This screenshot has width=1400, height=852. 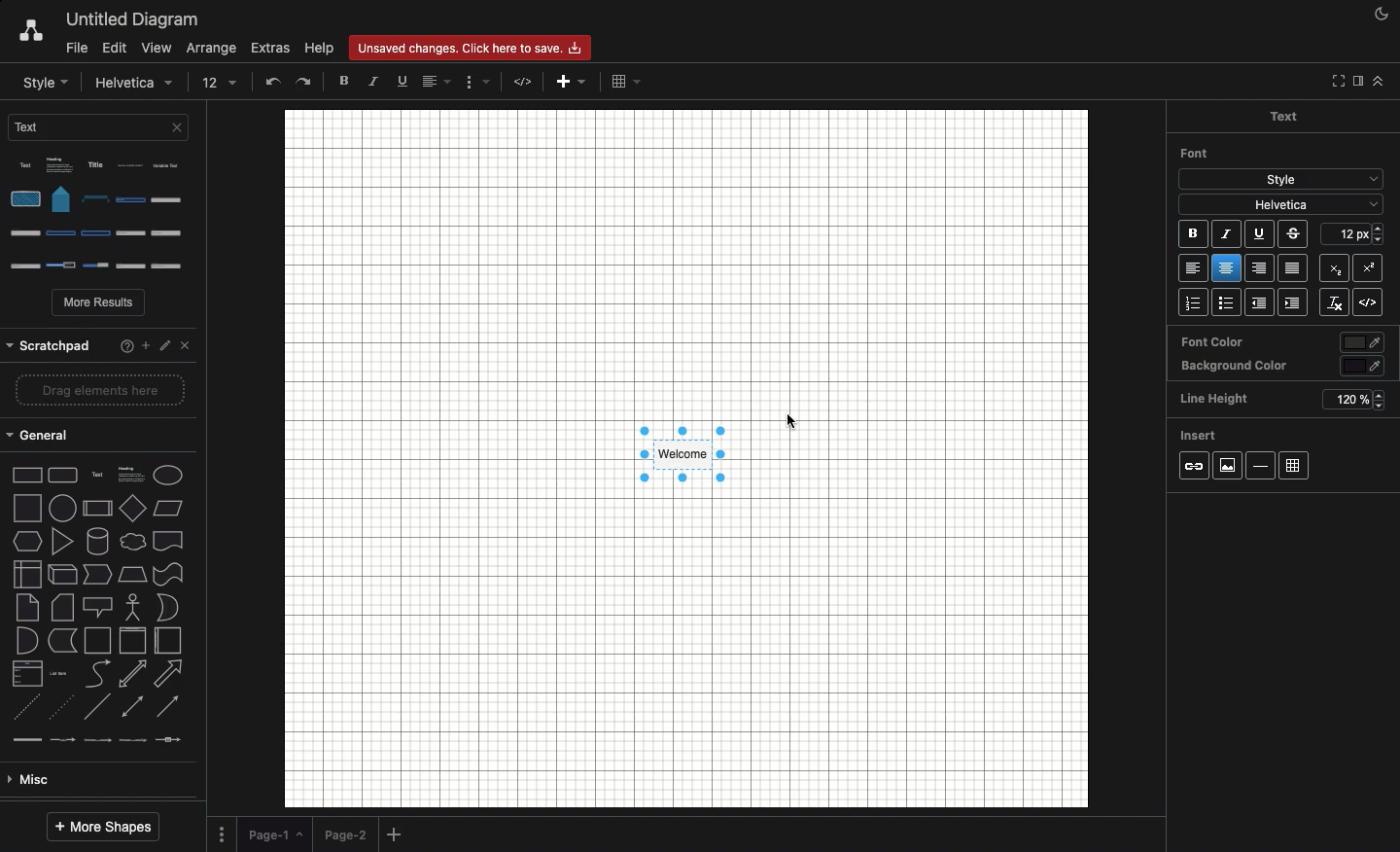 I want to click on Add, so click(x=397, y=835).